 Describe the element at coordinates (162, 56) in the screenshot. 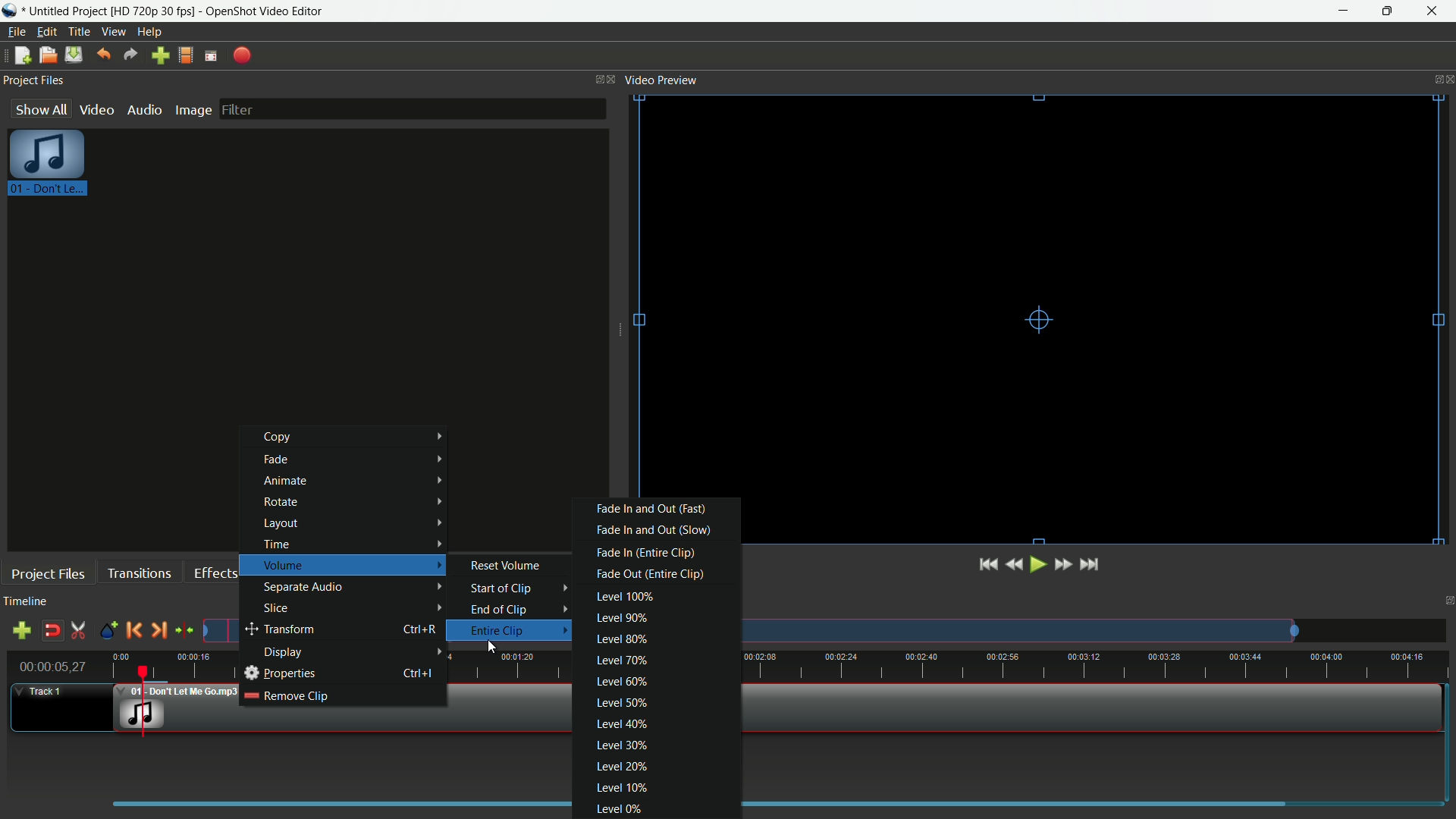

I see `import file` at that location.